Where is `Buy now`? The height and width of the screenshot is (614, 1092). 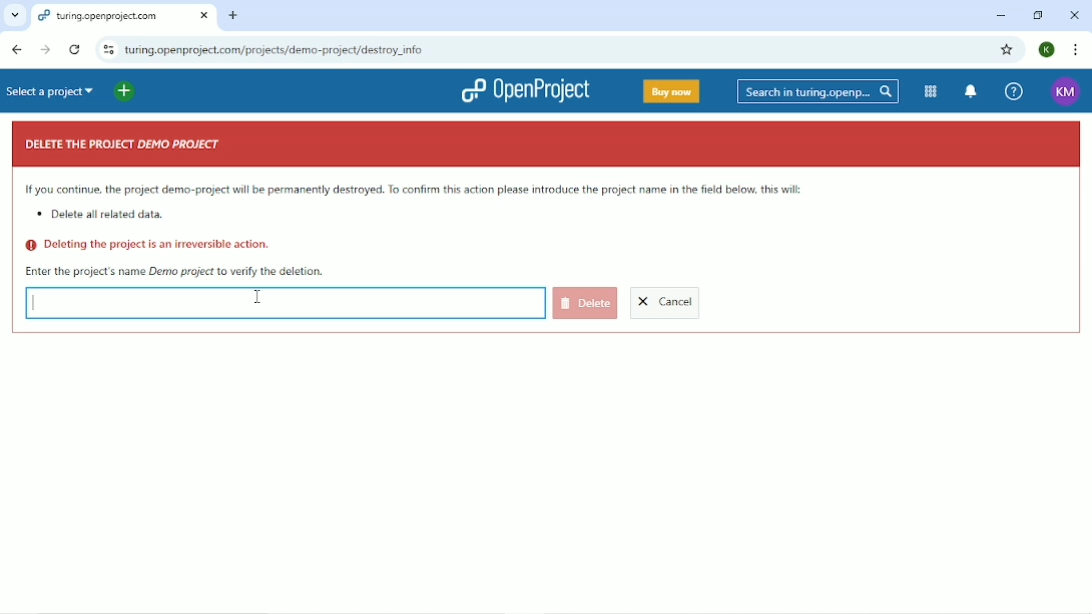 Buy now is located at coordinates (672, 91).